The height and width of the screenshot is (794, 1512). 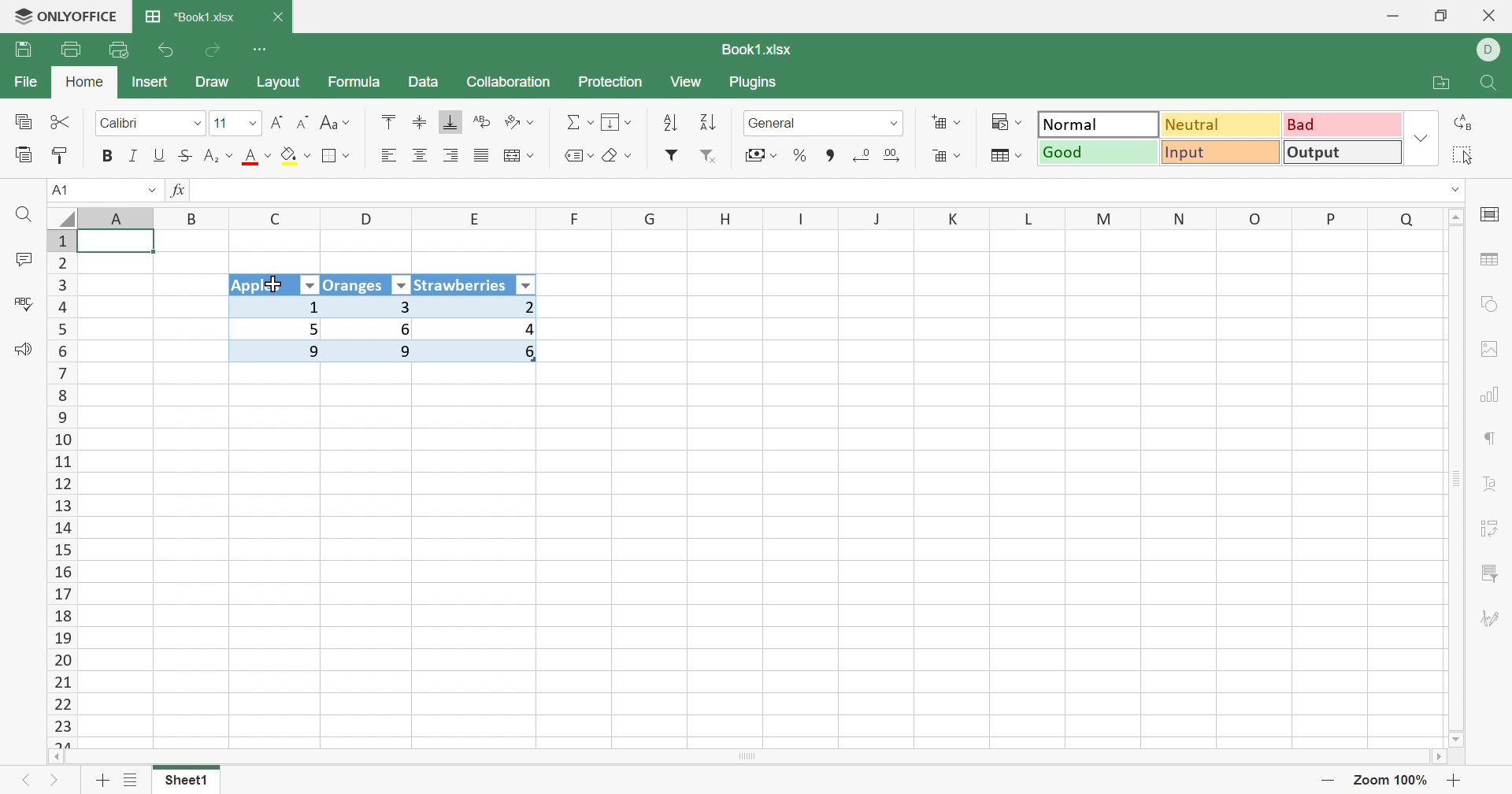 What do you see at coordinates (1458, 781) in the screenshot?
I see `Zoom in` at bounding box center [1458, 781].